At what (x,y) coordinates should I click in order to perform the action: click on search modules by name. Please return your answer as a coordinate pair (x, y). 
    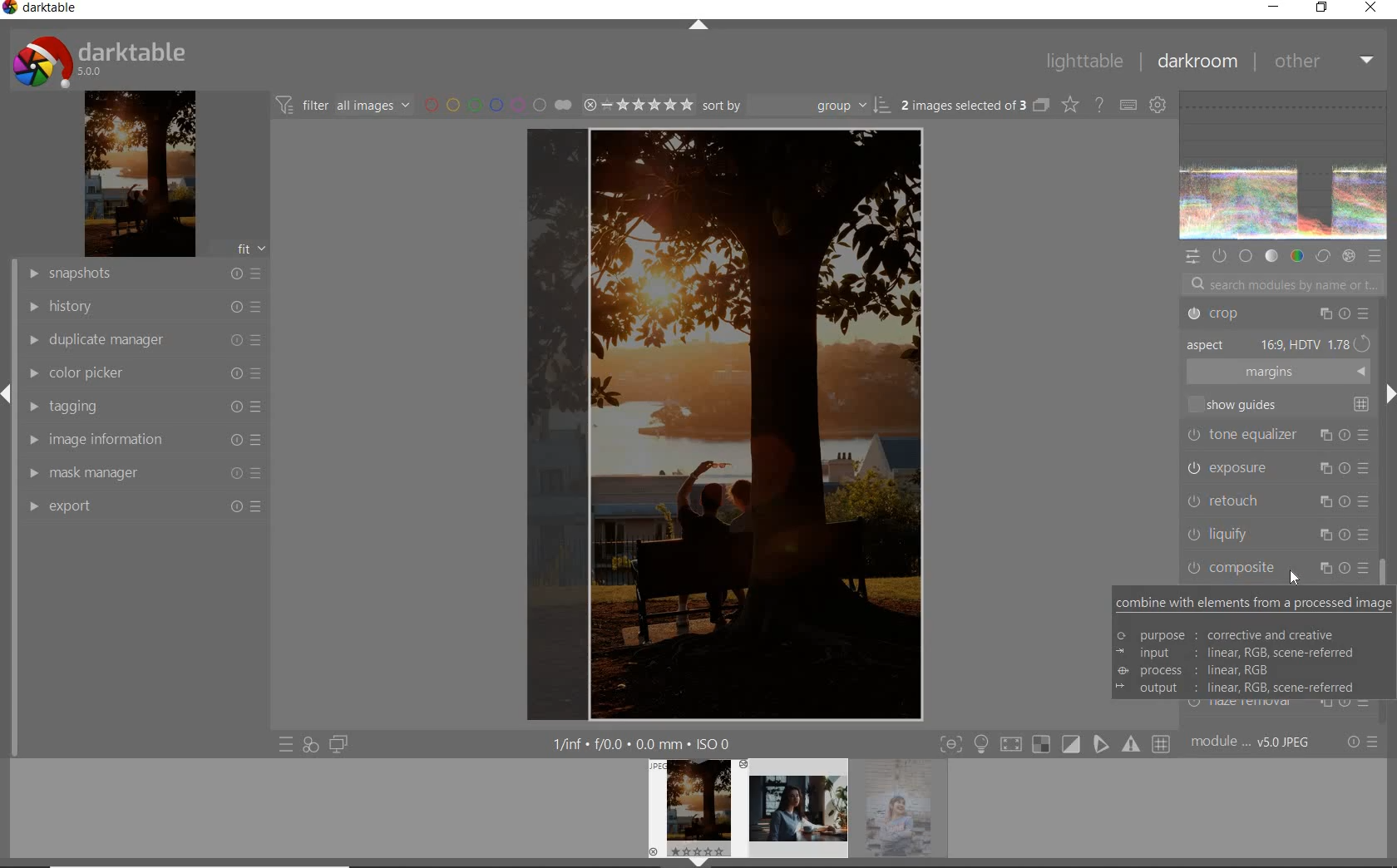
    Looking at the image, I should click on (1276, 284).